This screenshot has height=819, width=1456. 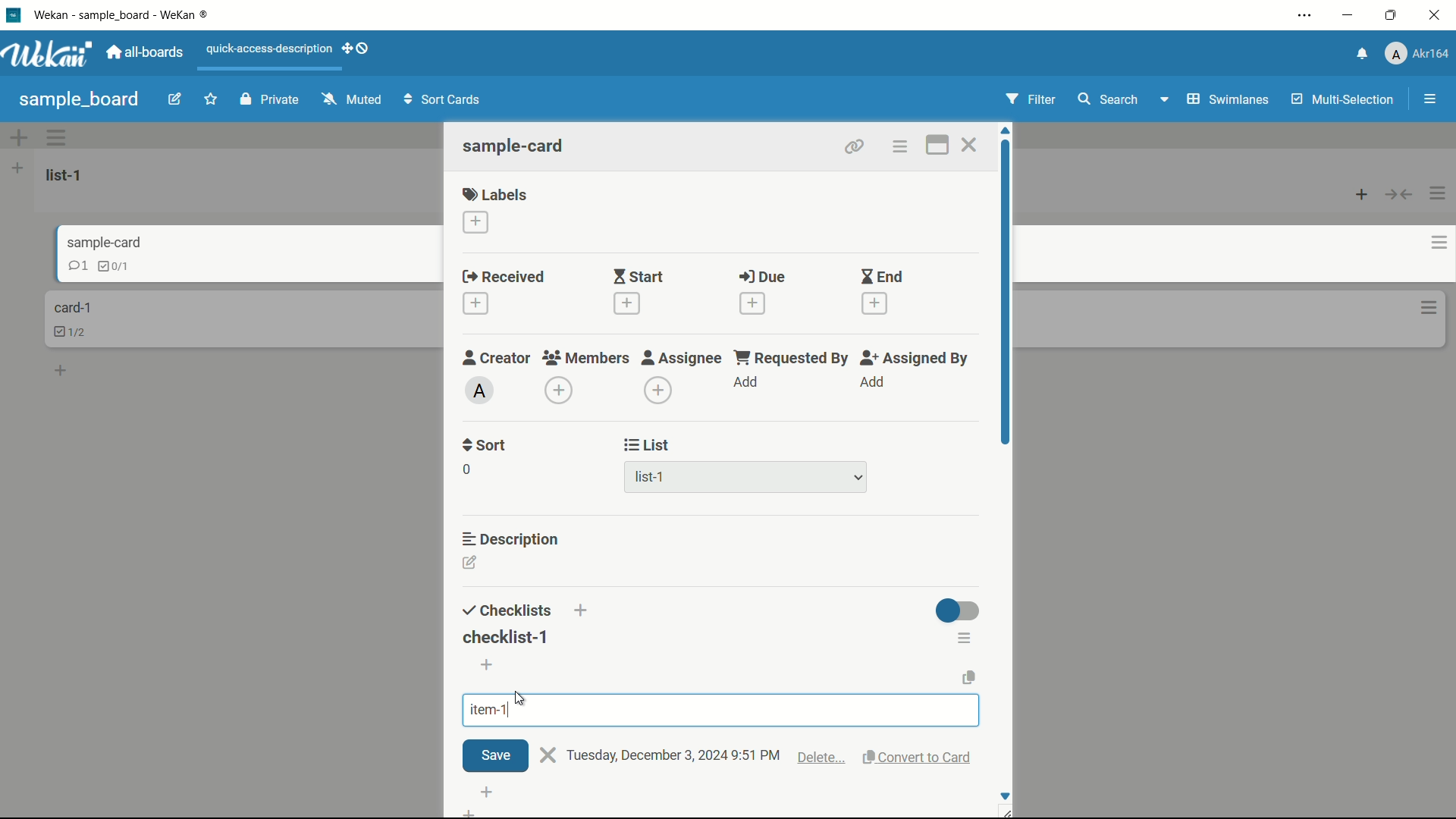 I want to click on profile, so click(x=1416, y=54).